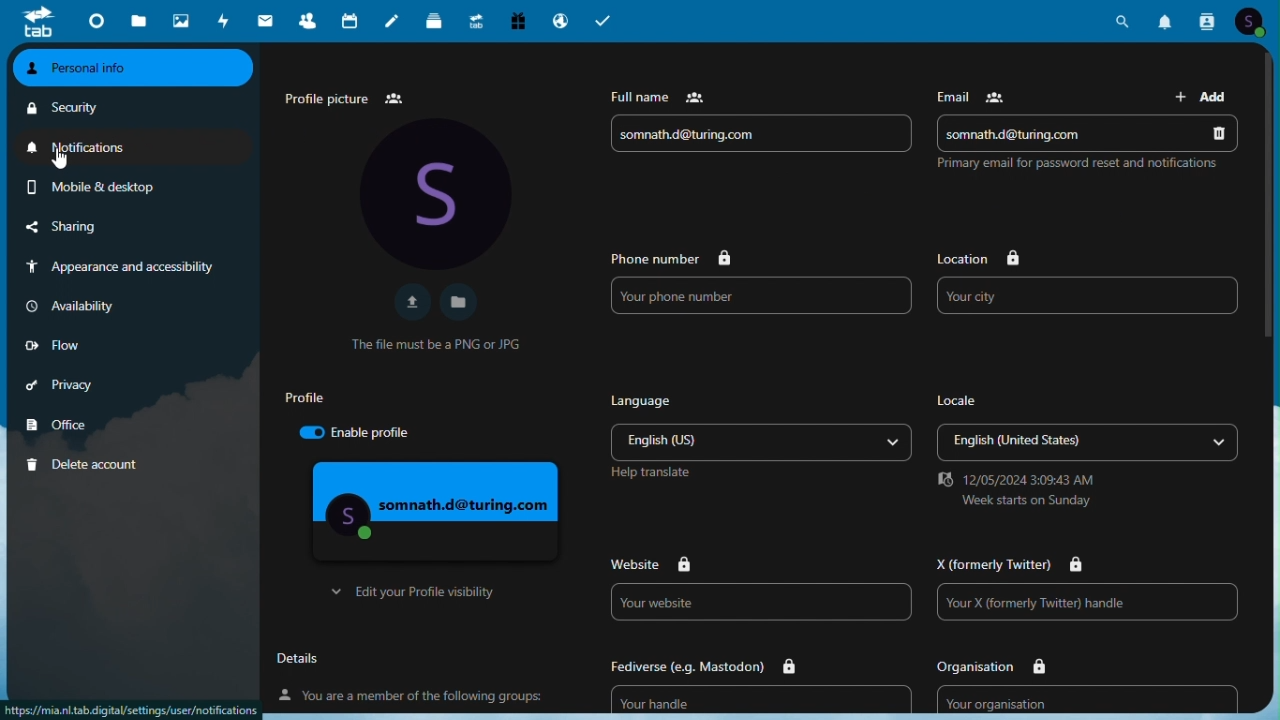 This screenshot has width=1280, height=720. What do you see at coordinates (439, 346) in the screenshot?
I see `Text` at bounding box center [439, 346].